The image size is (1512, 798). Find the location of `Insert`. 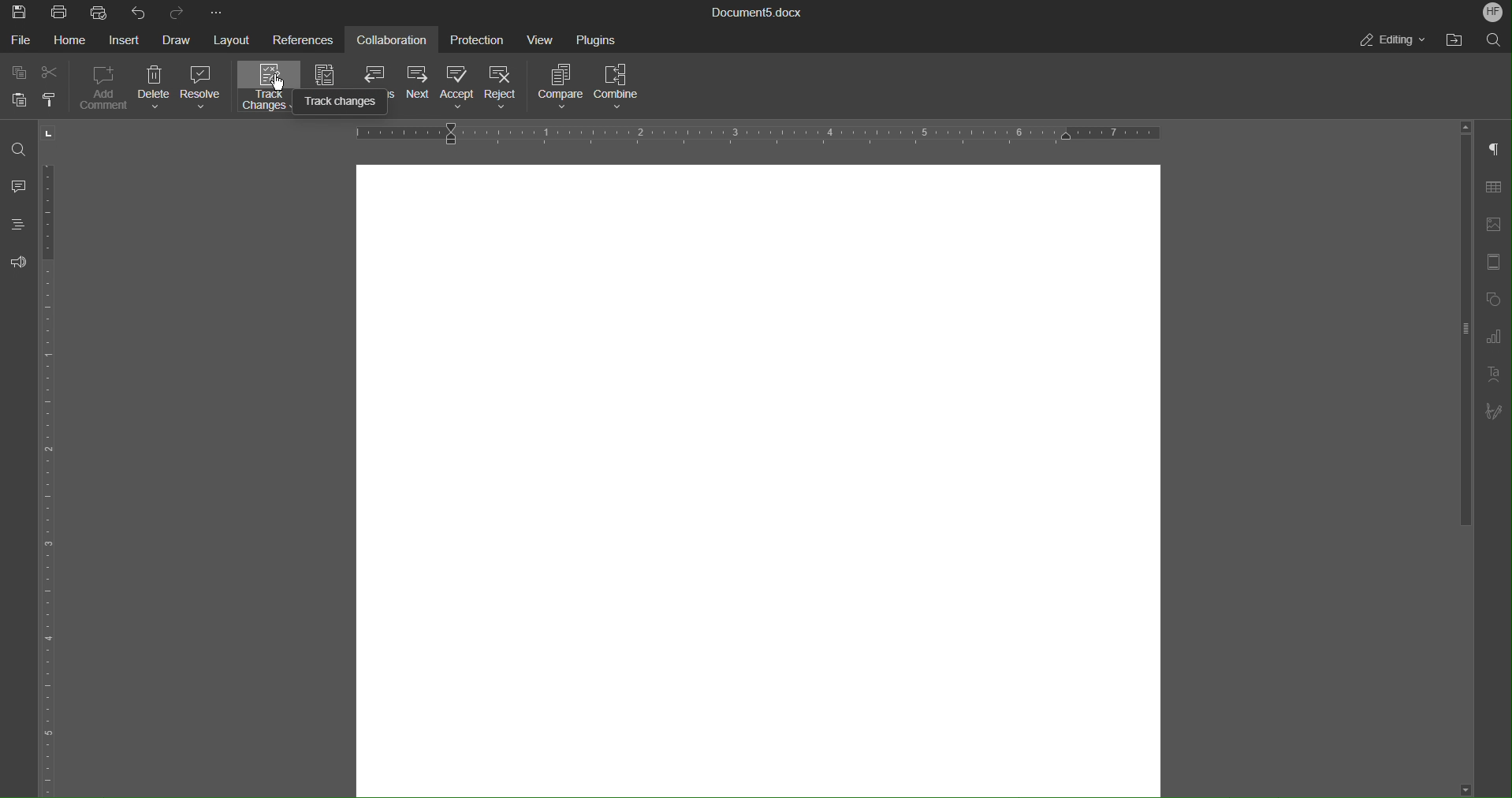

Insert is located at coordinates (132, 38).